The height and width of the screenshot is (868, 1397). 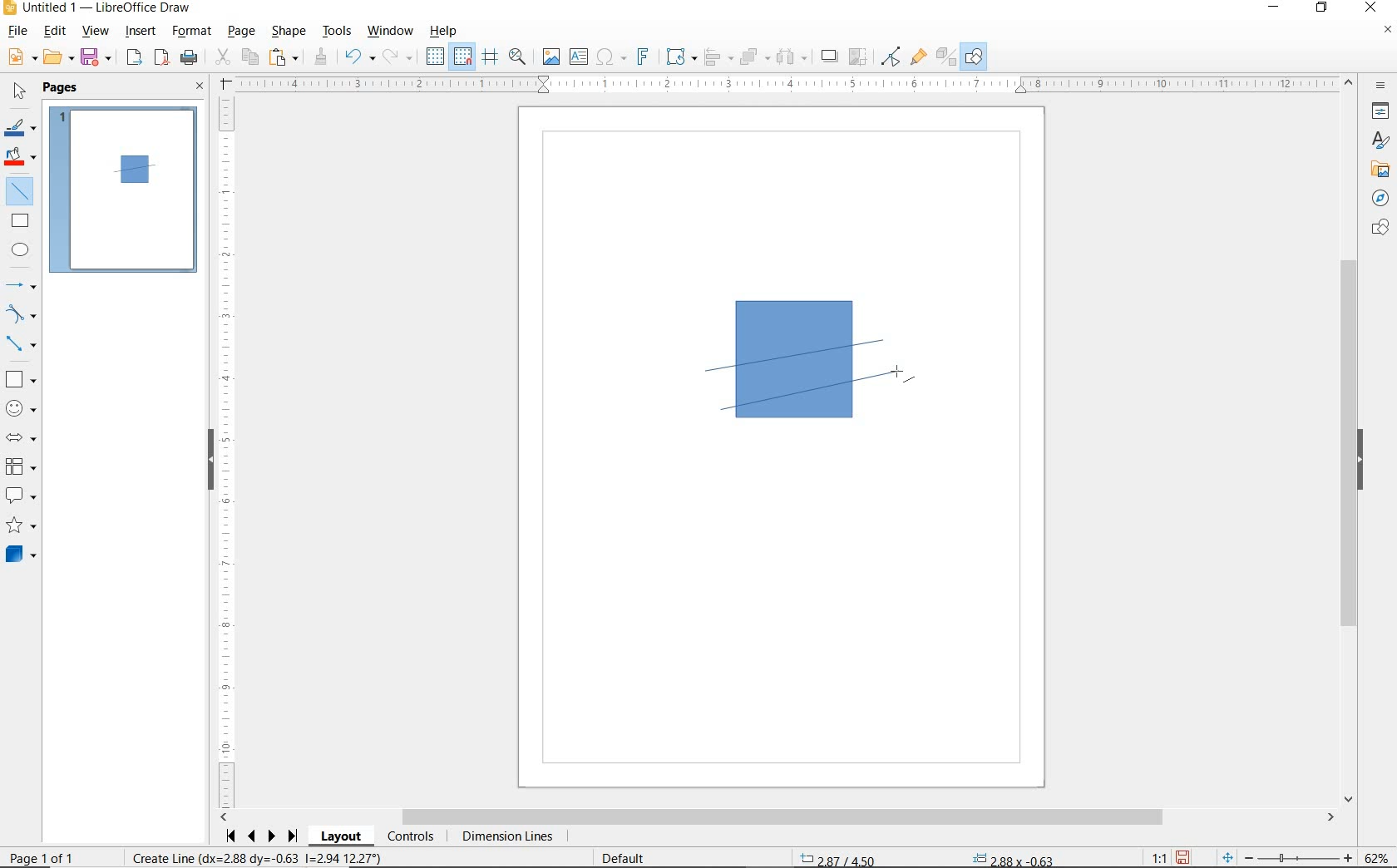 What do you see at coordinates (792, 57) in the screenshot?
I see `SELECT AT LEAST THREE OBJECTS TO DISTRIBUTE` at bounding box center [792, 57].